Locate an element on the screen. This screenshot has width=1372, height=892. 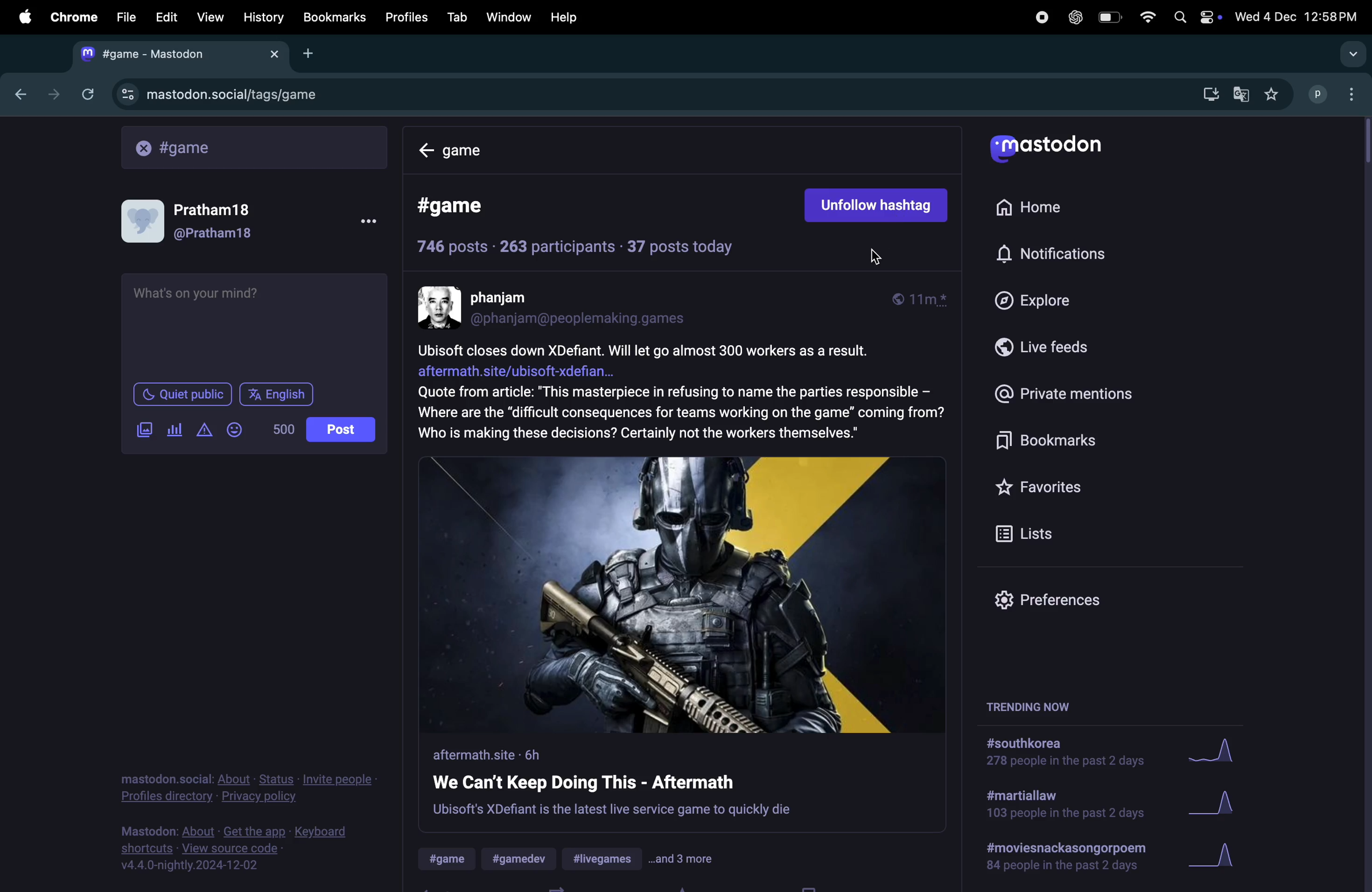
trending now is located at coordinates (1026, 705).